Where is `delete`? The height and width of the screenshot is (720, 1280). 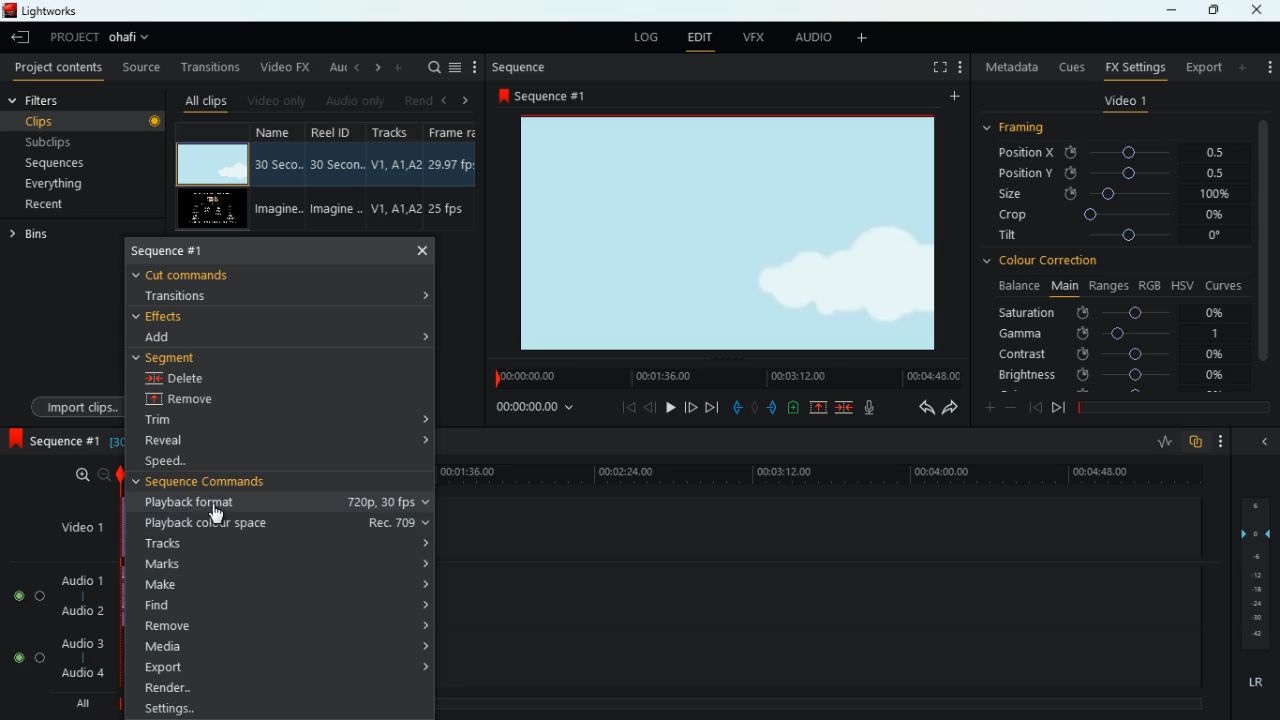 delete is located at coordinates (186, 379).